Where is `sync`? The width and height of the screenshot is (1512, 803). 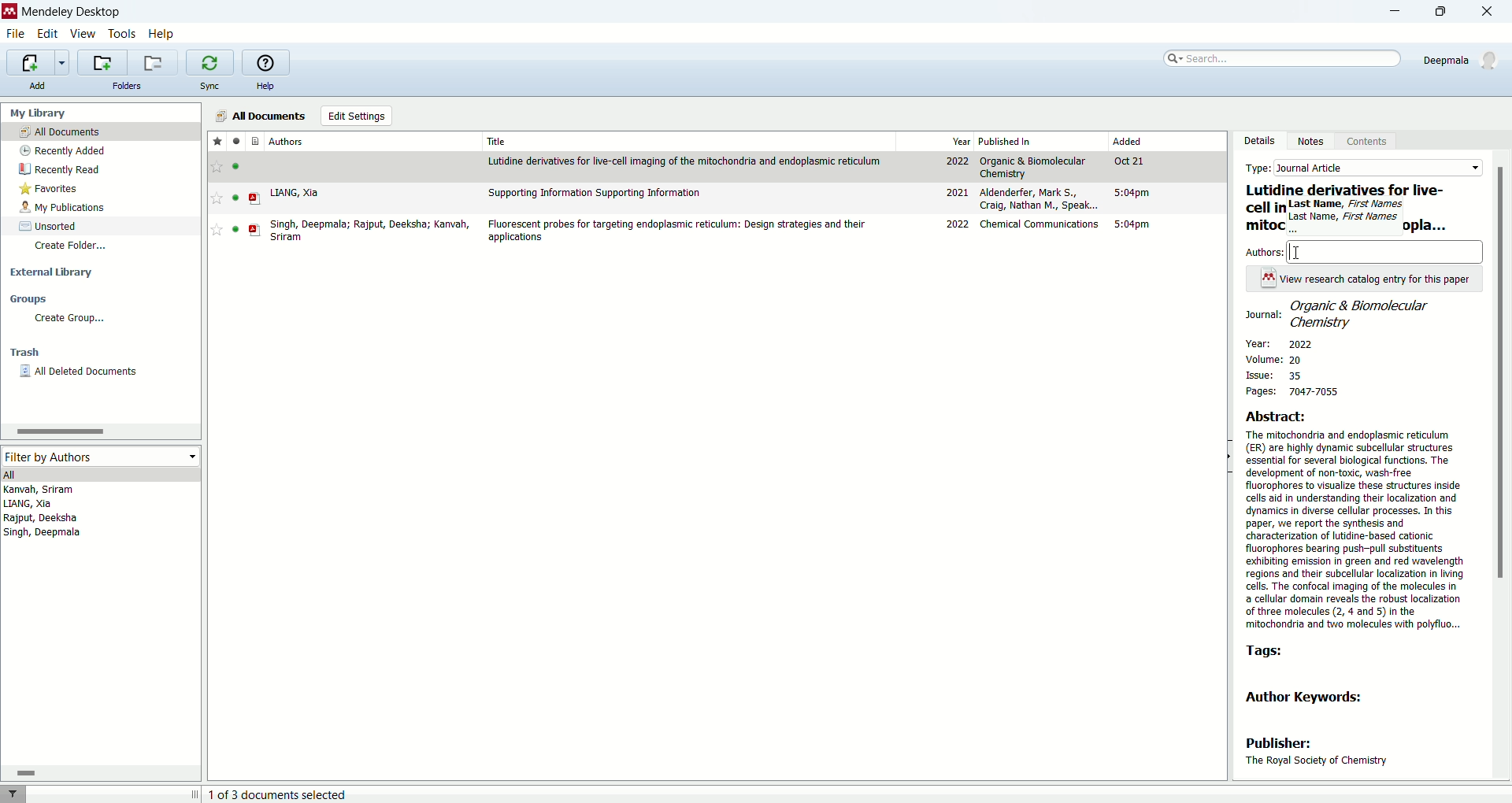 sync is located at coordinates (209, 86).